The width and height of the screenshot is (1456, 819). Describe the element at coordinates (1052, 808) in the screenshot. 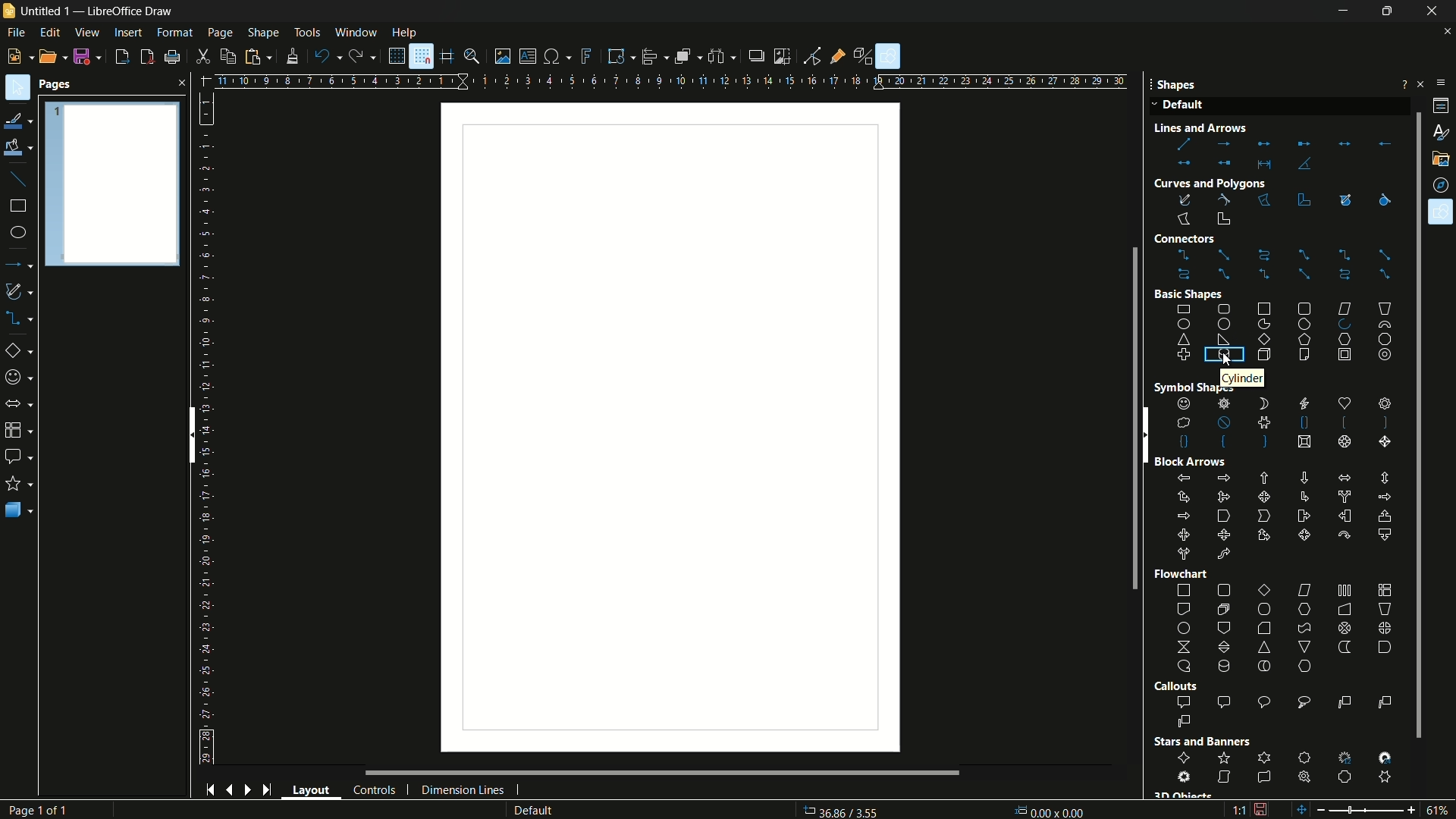

I see `0.00` at that location.